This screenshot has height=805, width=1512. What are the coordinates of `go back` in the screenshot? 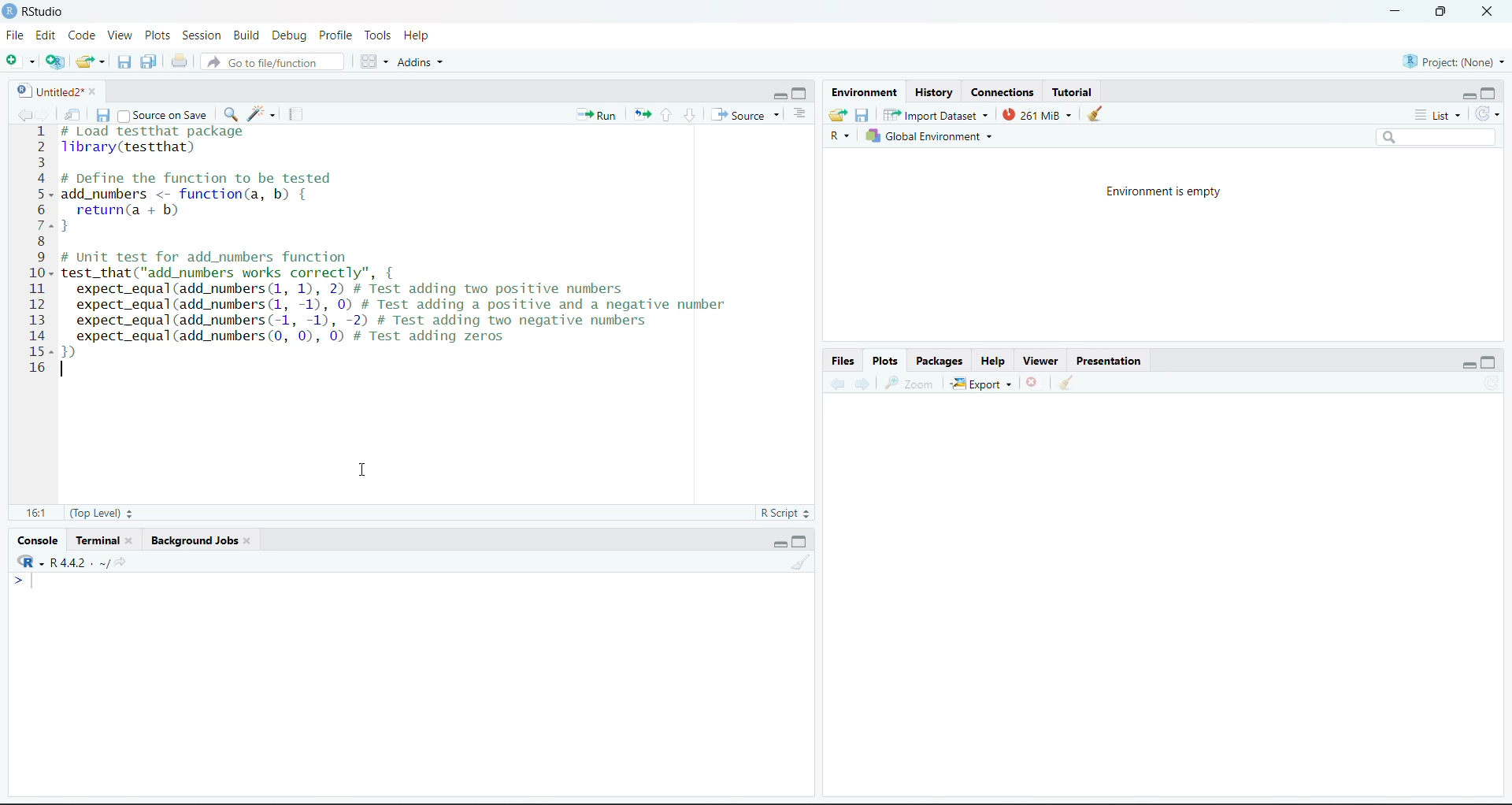 It's located at (23, 114).